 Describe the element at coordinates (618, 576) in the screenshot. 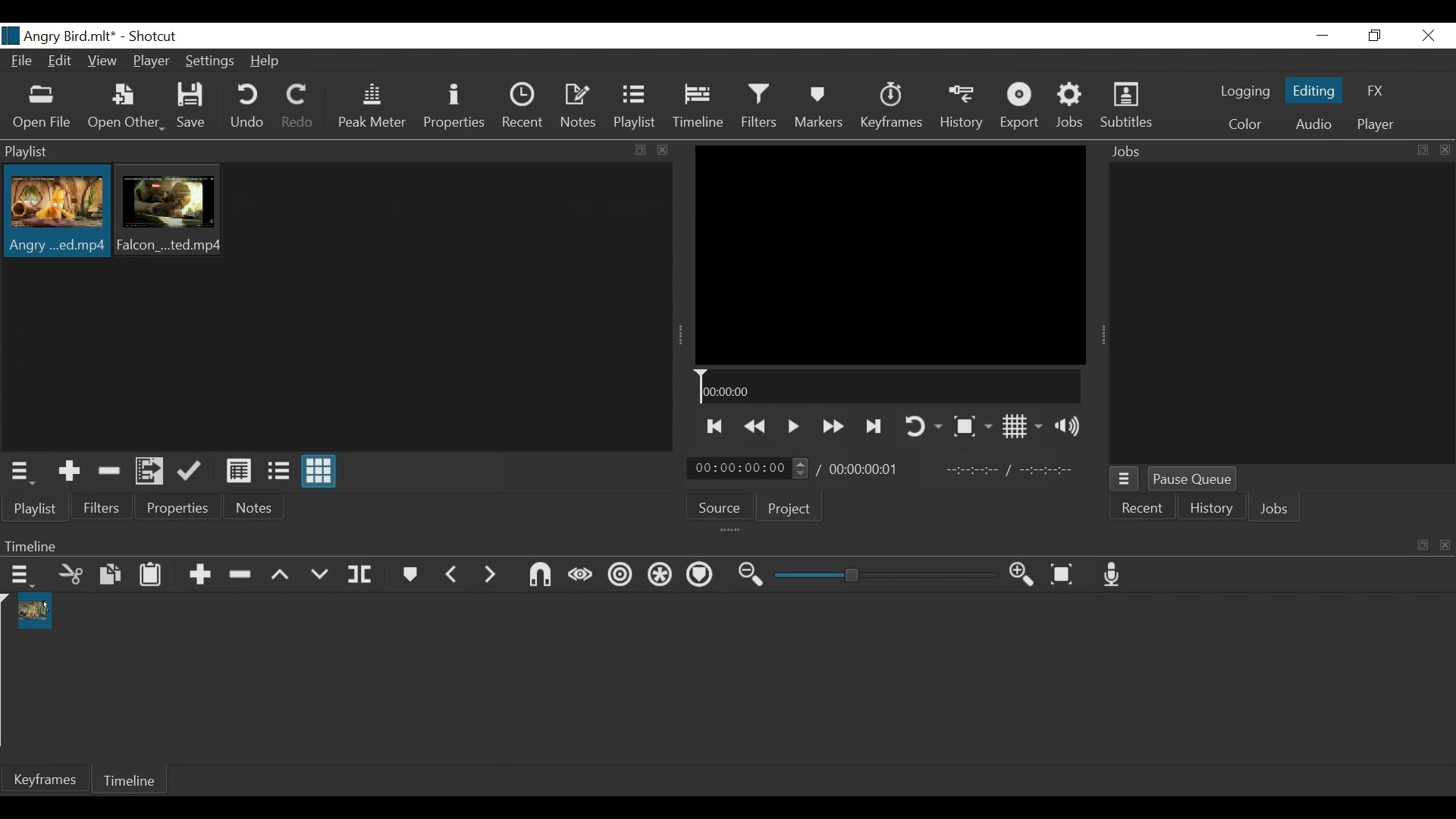

I see `Ripple` at that location.